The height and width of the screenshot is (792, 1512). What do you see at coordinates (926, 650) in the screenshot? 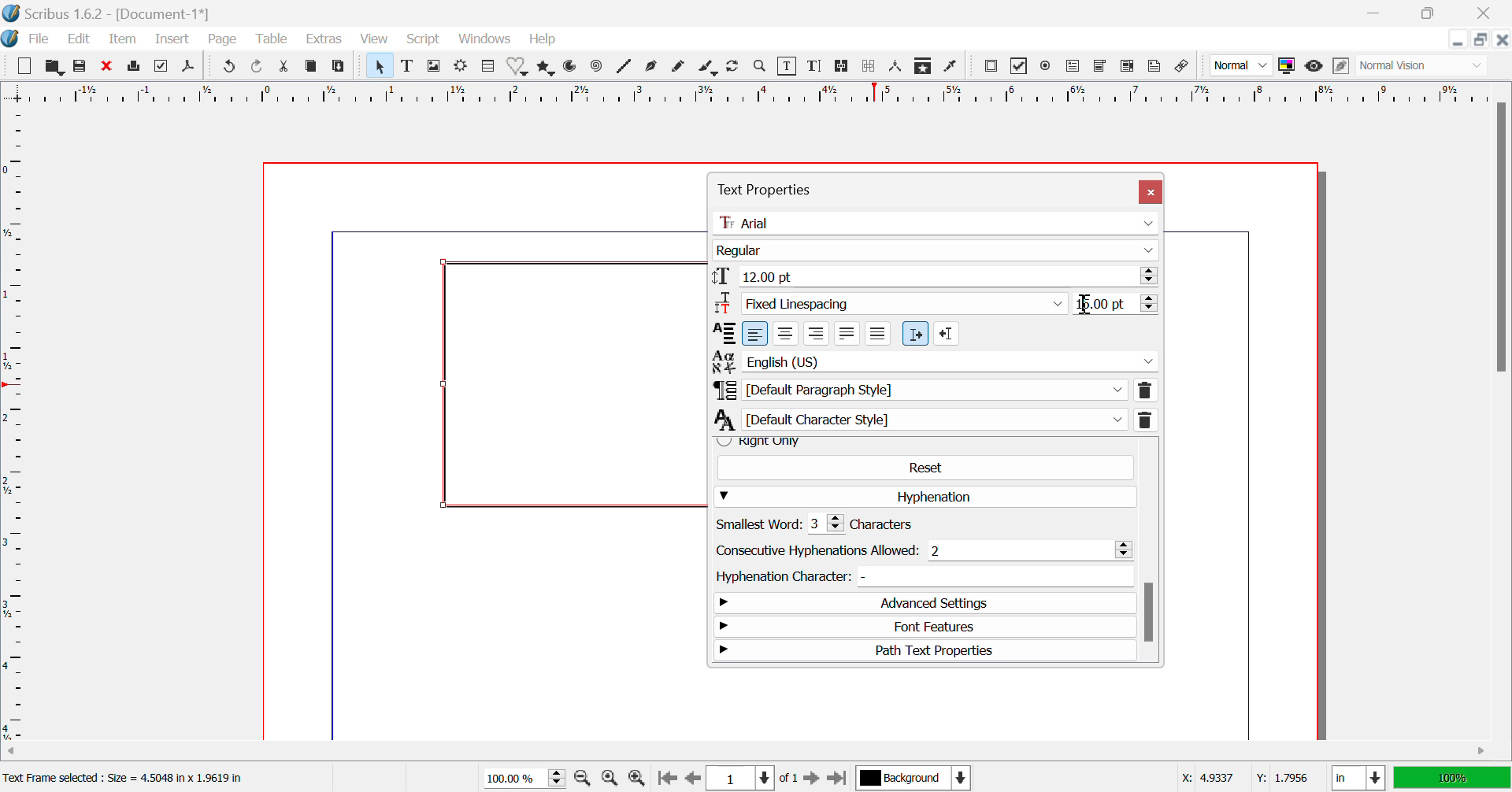
I see `Path Text Properties` at bounding box center [926, 650].